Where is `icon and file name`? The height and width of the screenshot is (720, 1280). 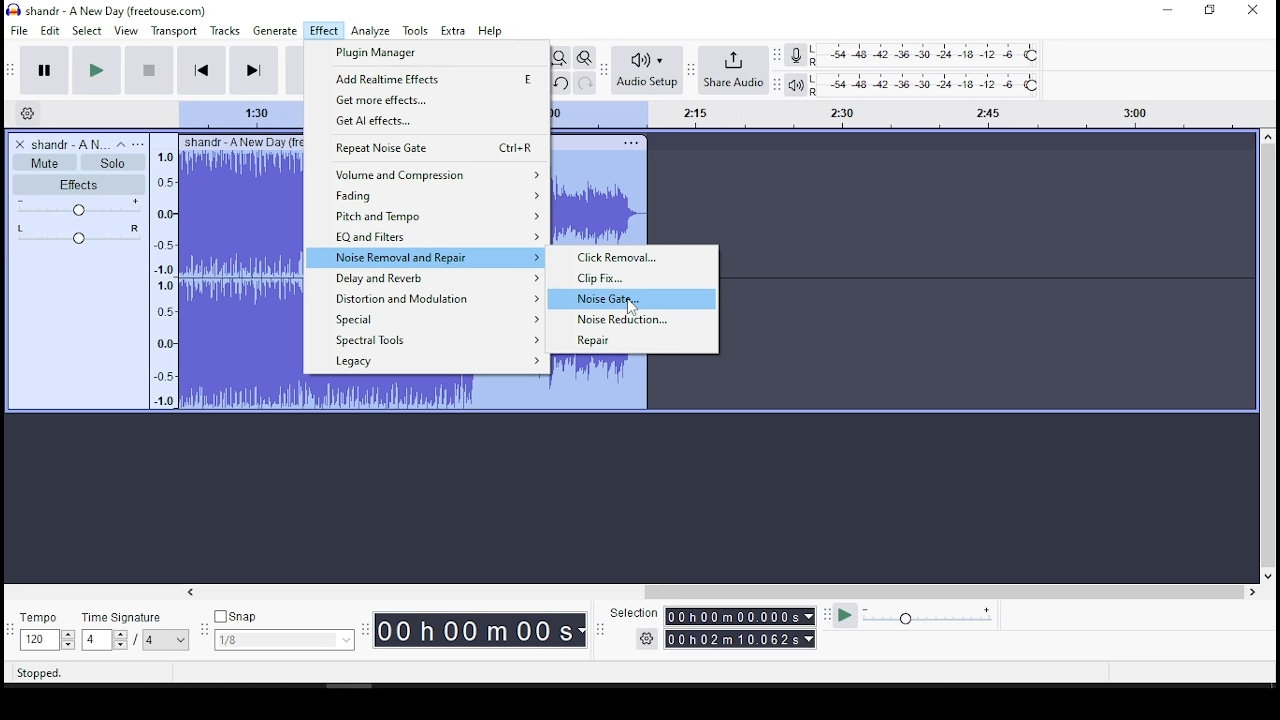 icon and file name is located at coordinates (109, 12).